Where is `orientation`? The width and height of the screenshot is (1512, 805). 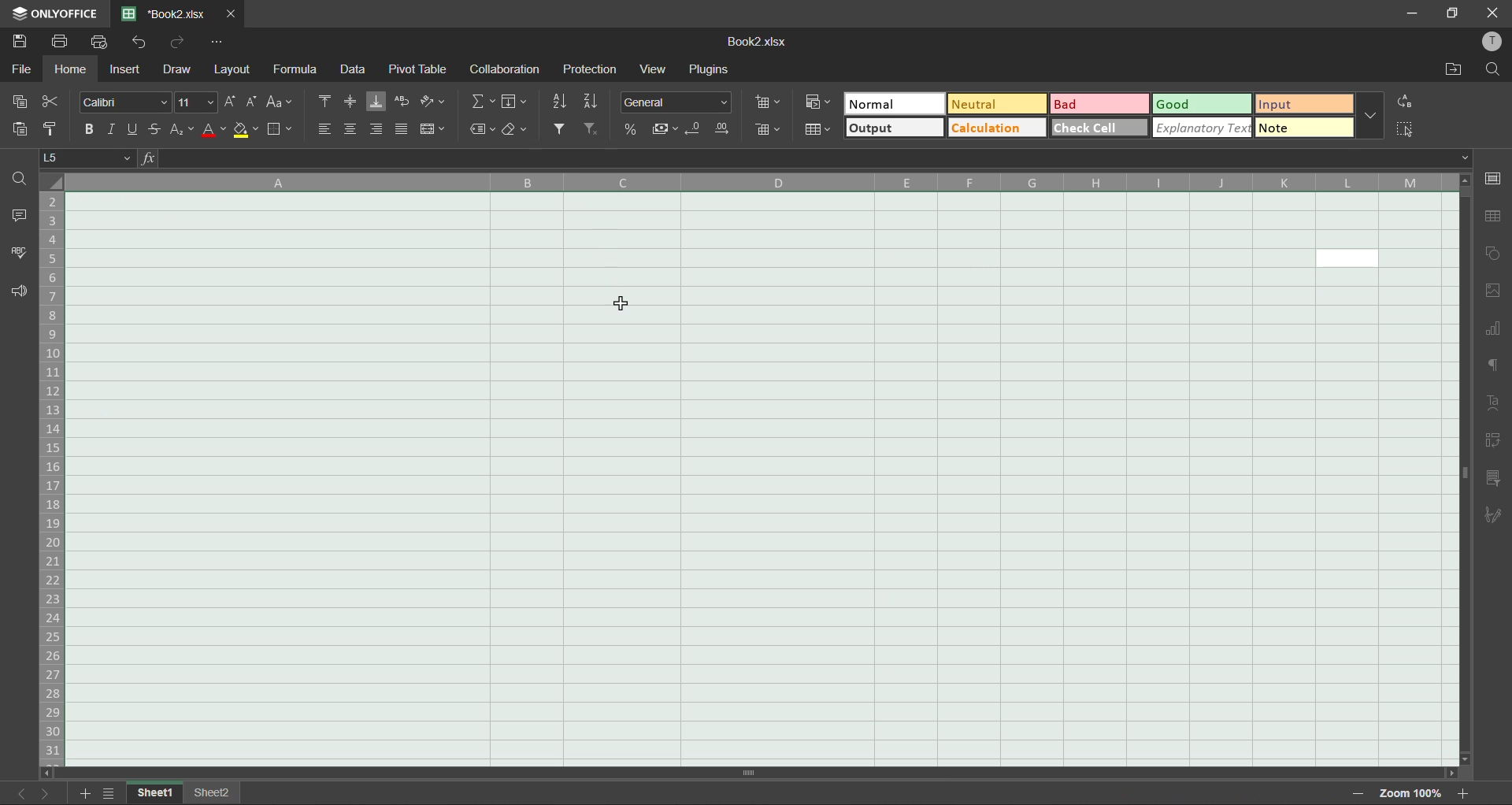 orientation is located at coordinates (435, 103).